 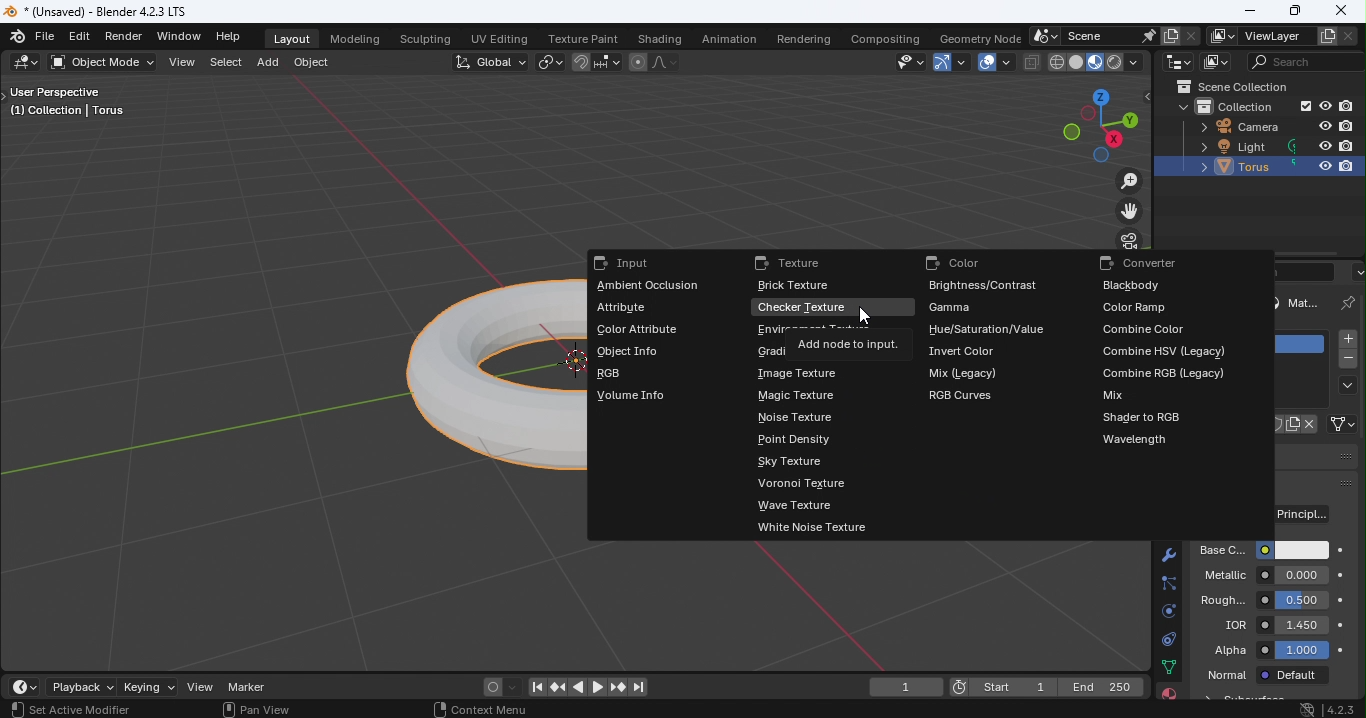 What do you see at coordinates (1347, 361) in the screenshot?
I see `Remove material slot` at bounding box center [1347, 361].